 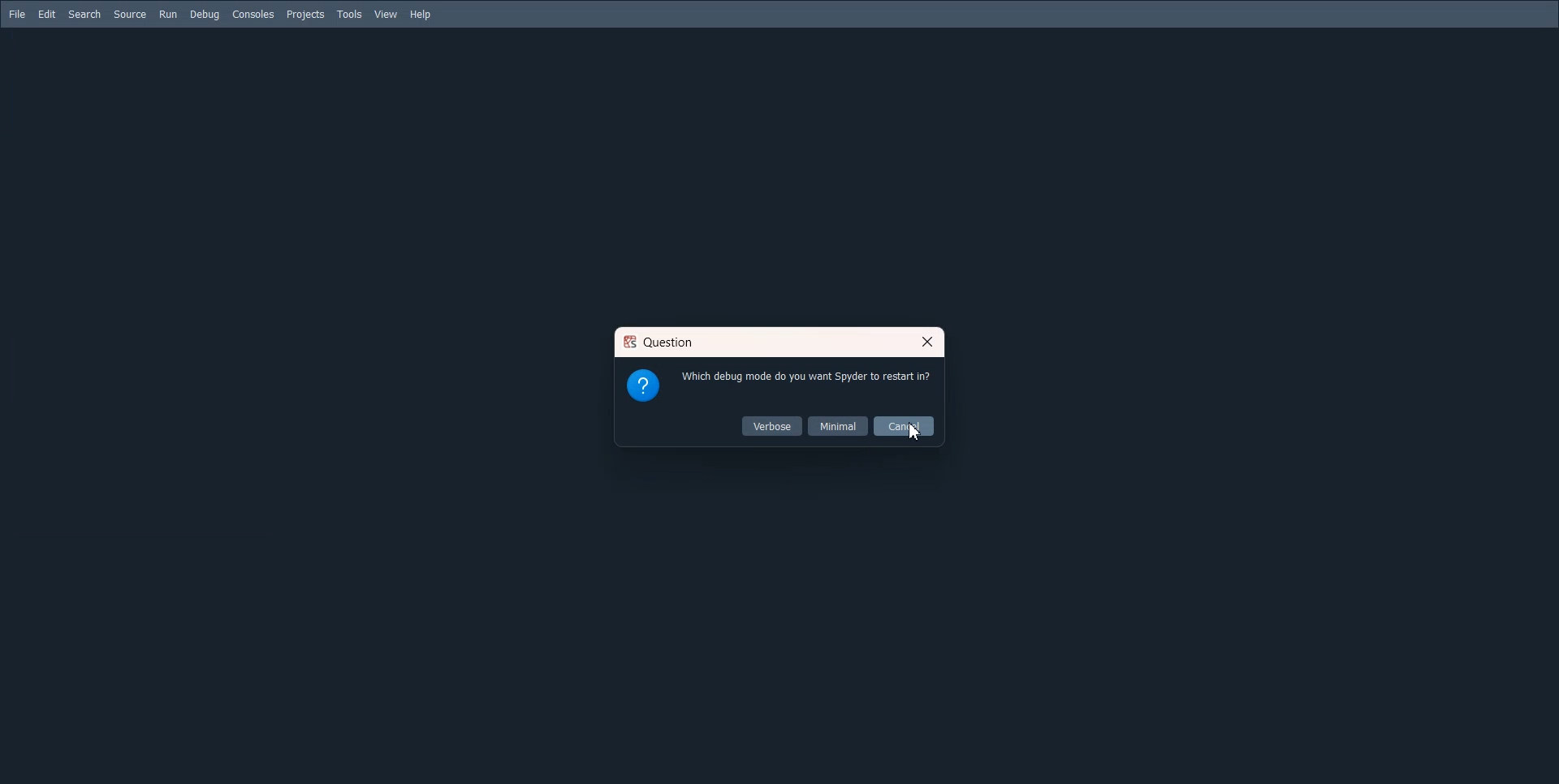 What do you see at coordinates (807, 377) in the screenshot?
I see `Which debug mode do you want Spyder to restart in?` at bounding box center [807, 377].